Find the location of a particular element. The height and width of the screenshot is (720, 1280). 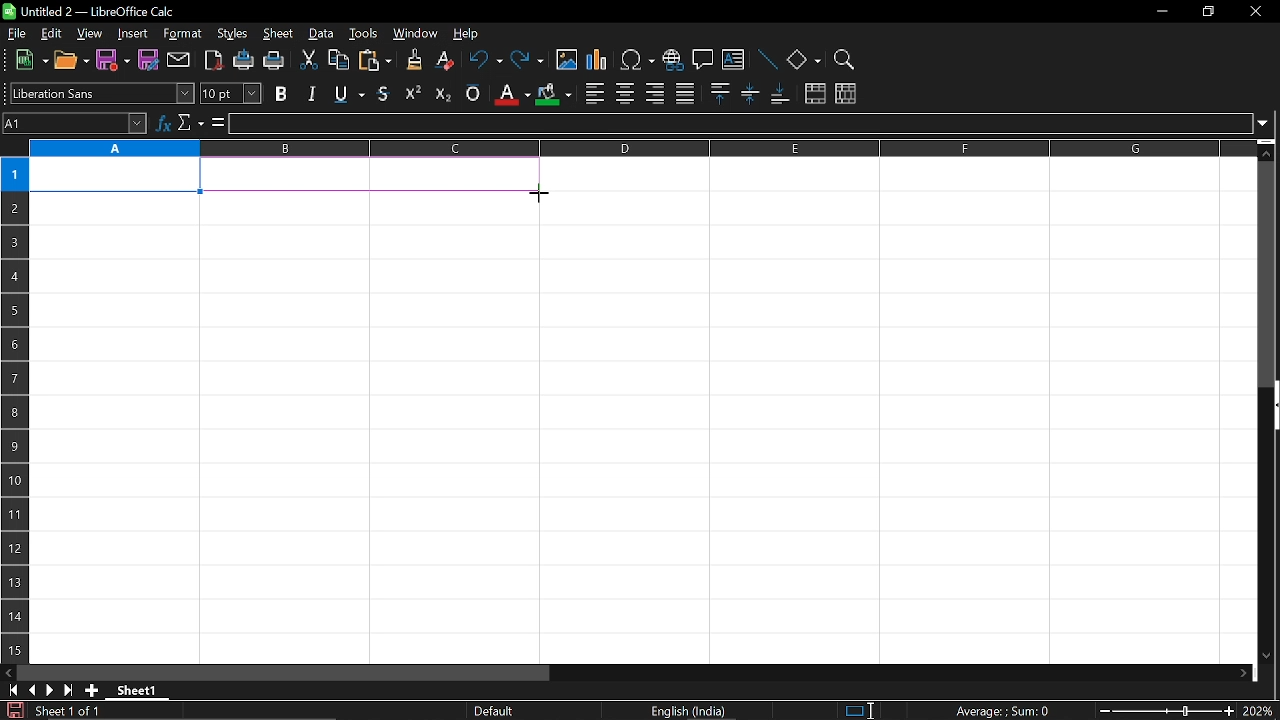

insert image is located at coordinates (566, 61).